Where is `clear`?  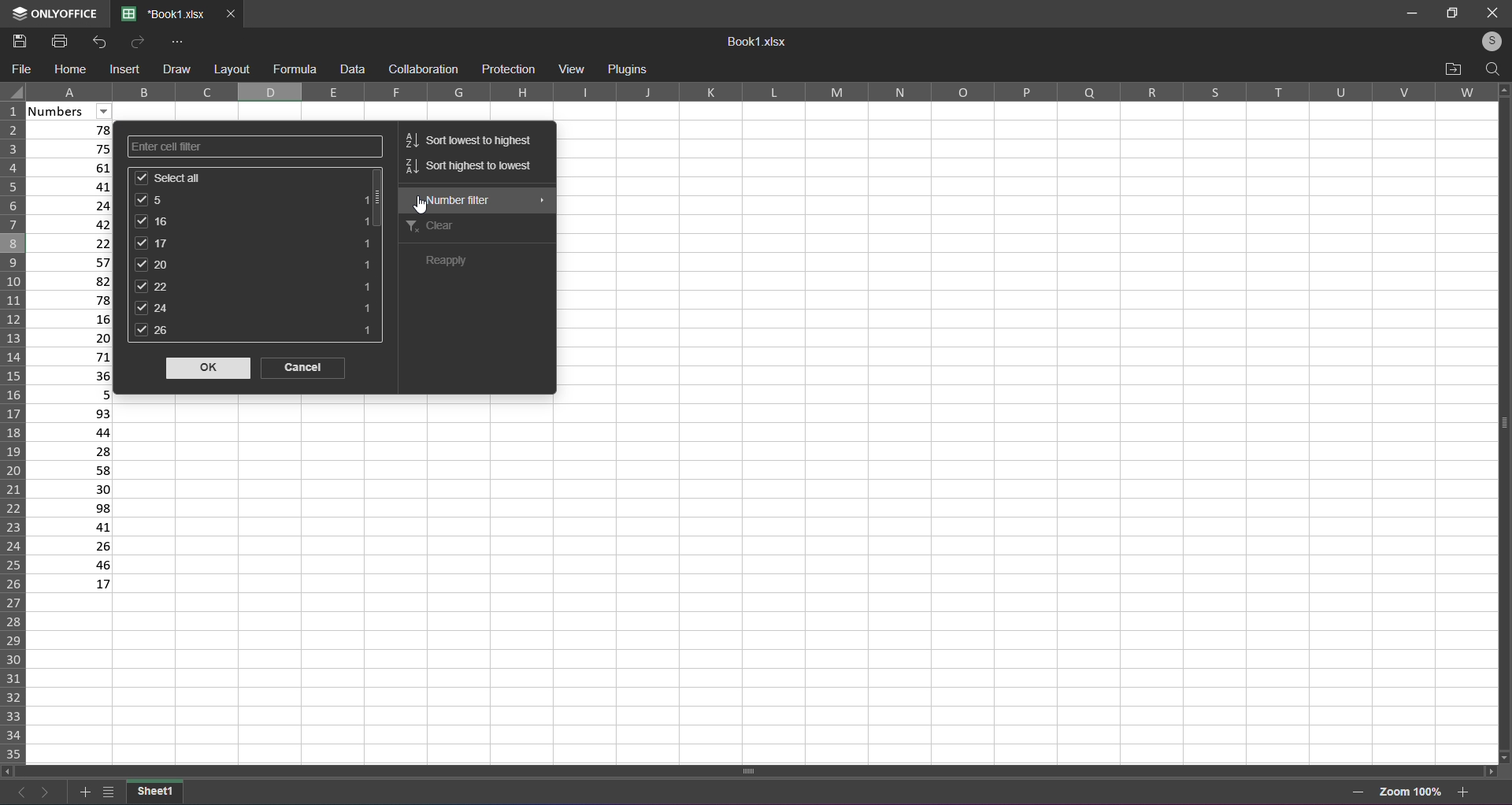 clear is located at coordinates (471, 228).